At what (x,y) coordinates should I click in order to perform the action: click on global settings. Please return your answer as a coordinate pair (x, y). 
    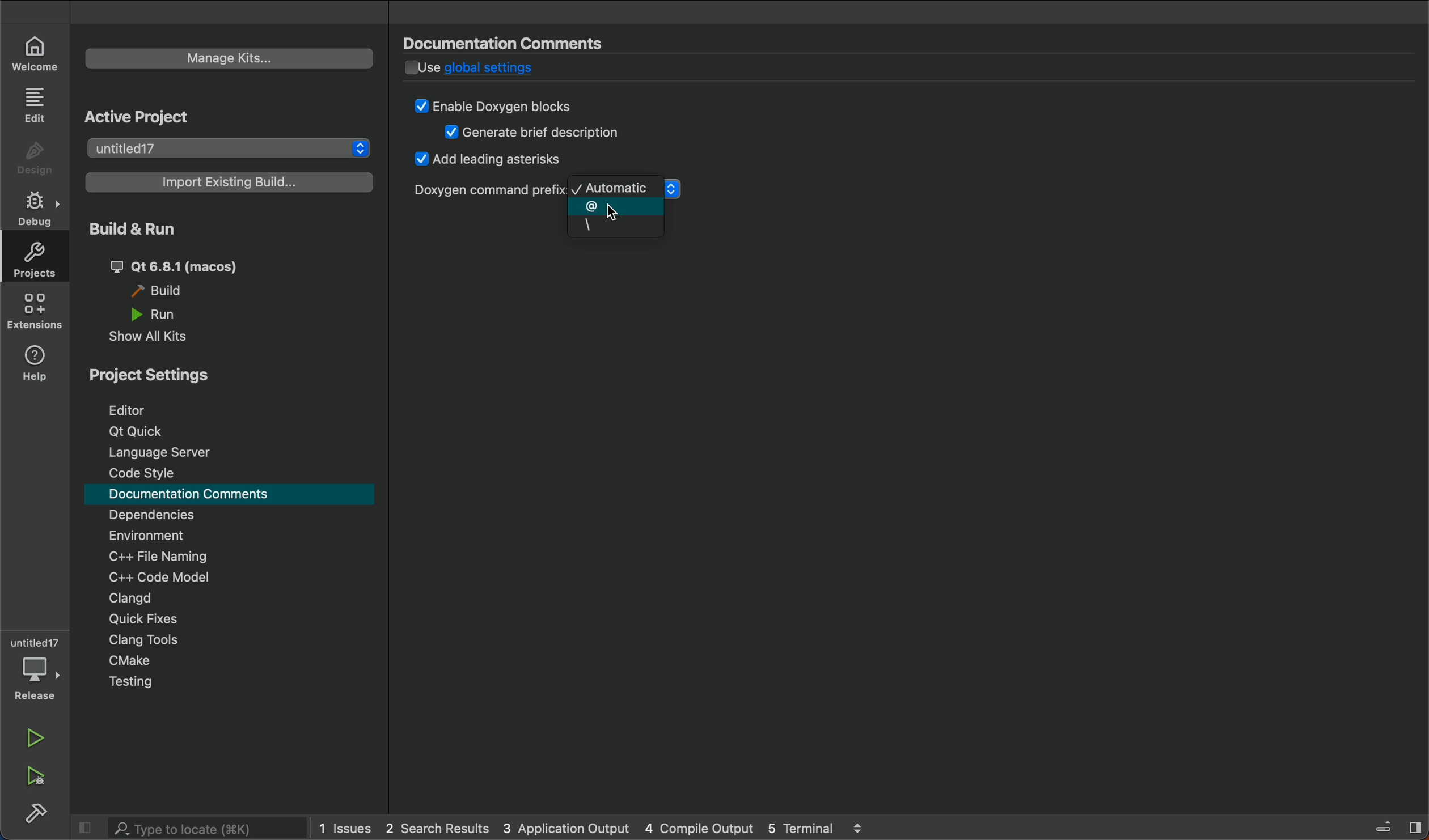
    Looking at the image, I should click on (508, 71).